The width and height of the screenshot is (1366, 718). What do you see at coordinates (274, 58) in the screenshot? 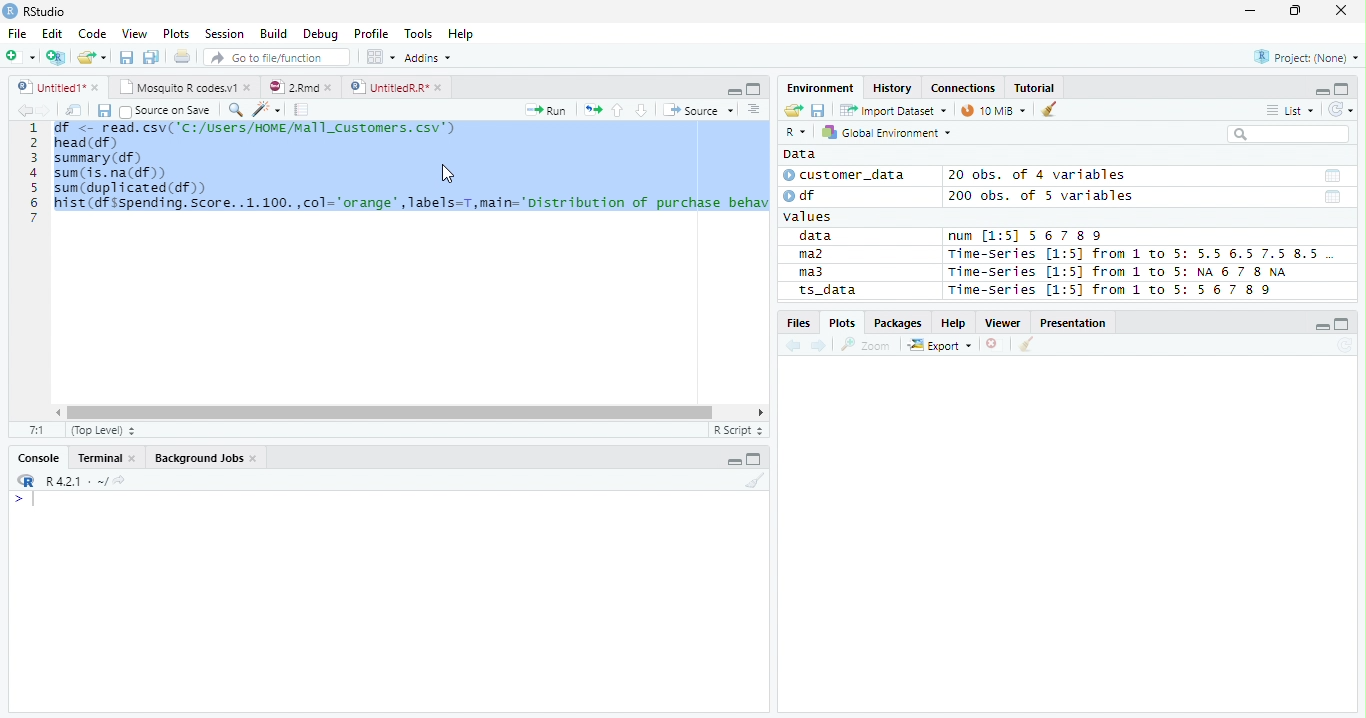
I see `Go to file/function` at bounding box center [274, 58].